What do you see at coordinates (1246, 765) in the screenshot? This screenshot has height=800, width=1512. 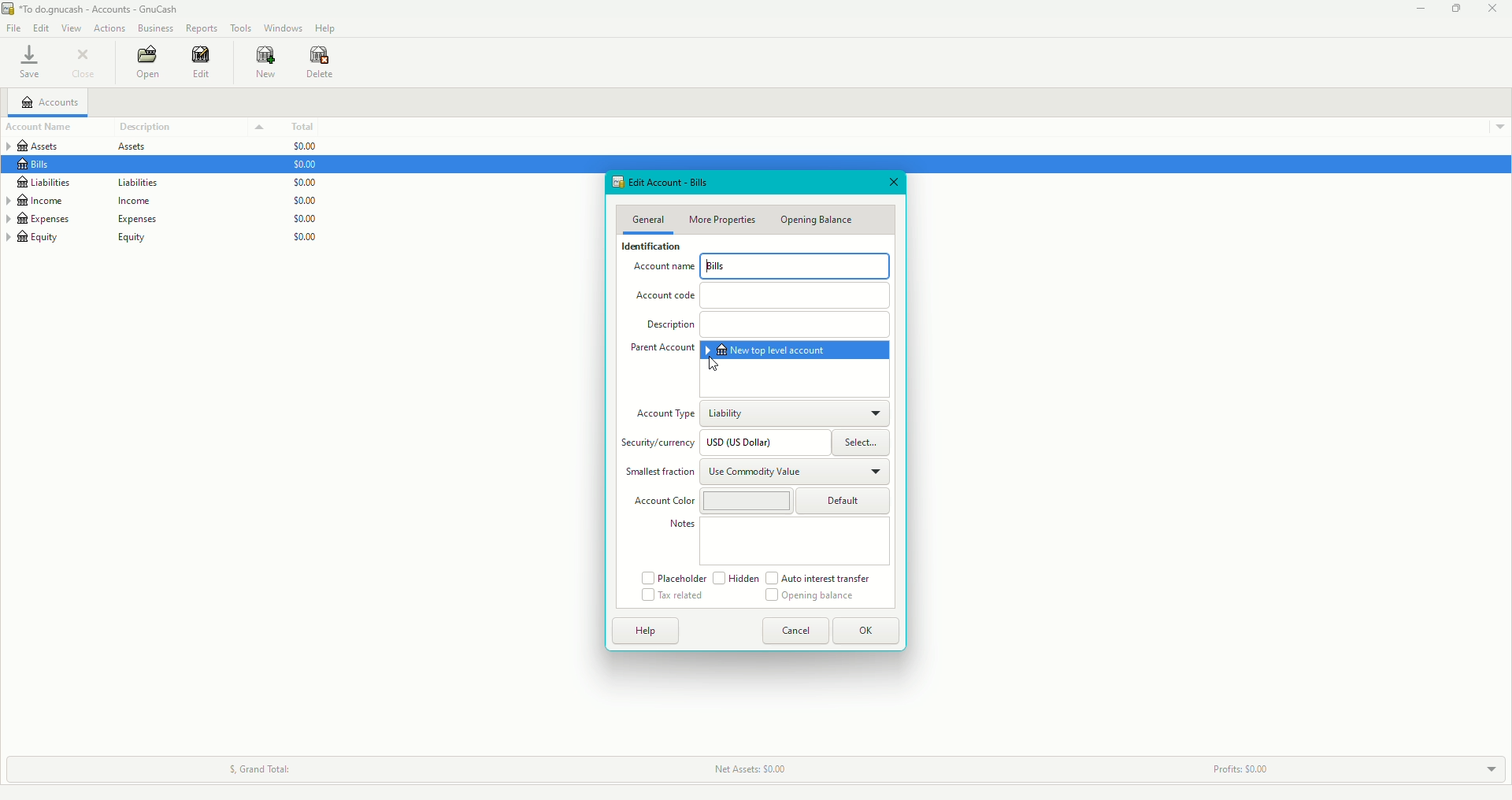 I see `Profits` at bounding box center [1246, 765].